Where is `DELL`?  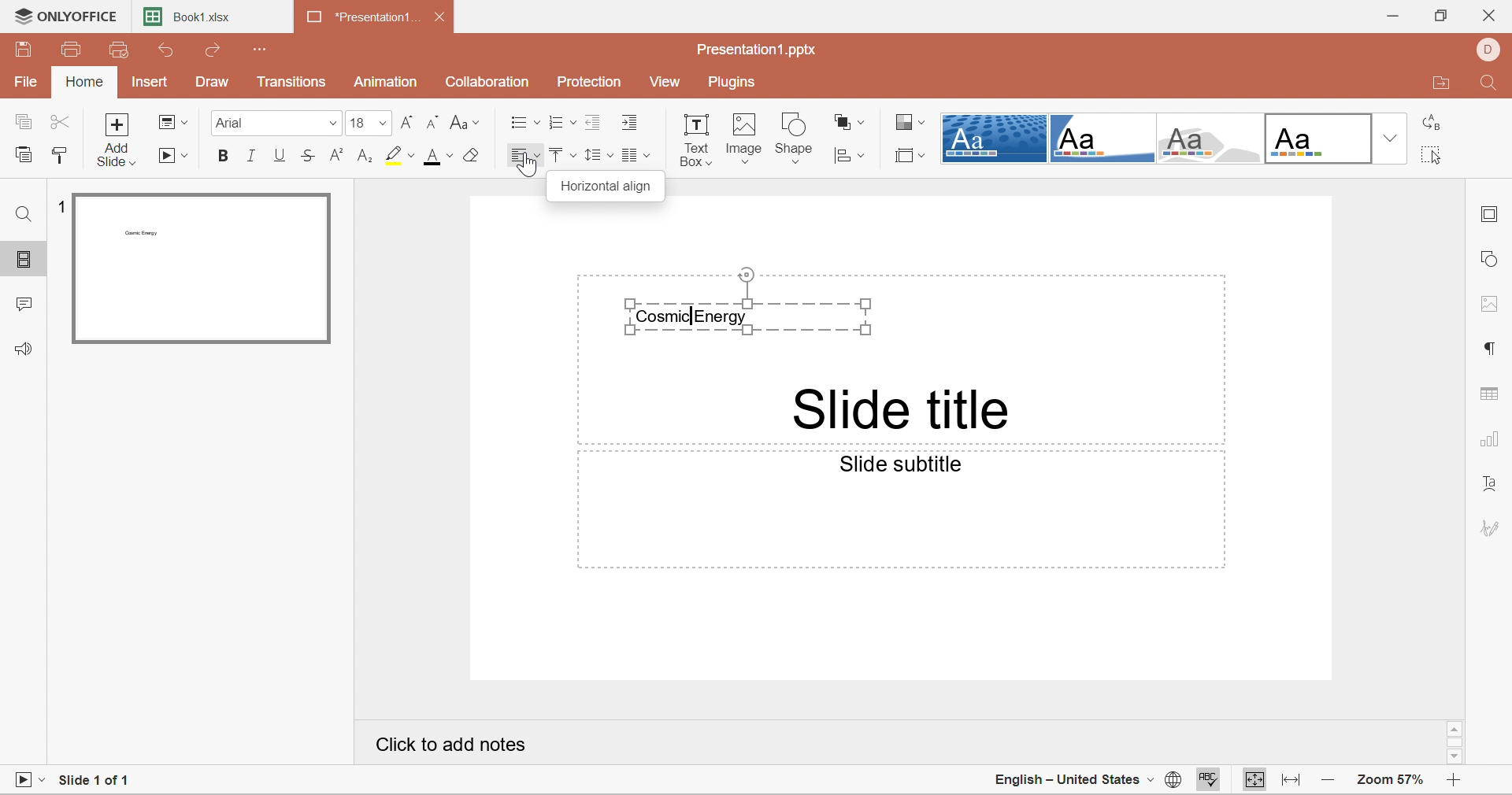 DELL is located at coordinates (1494, 50).